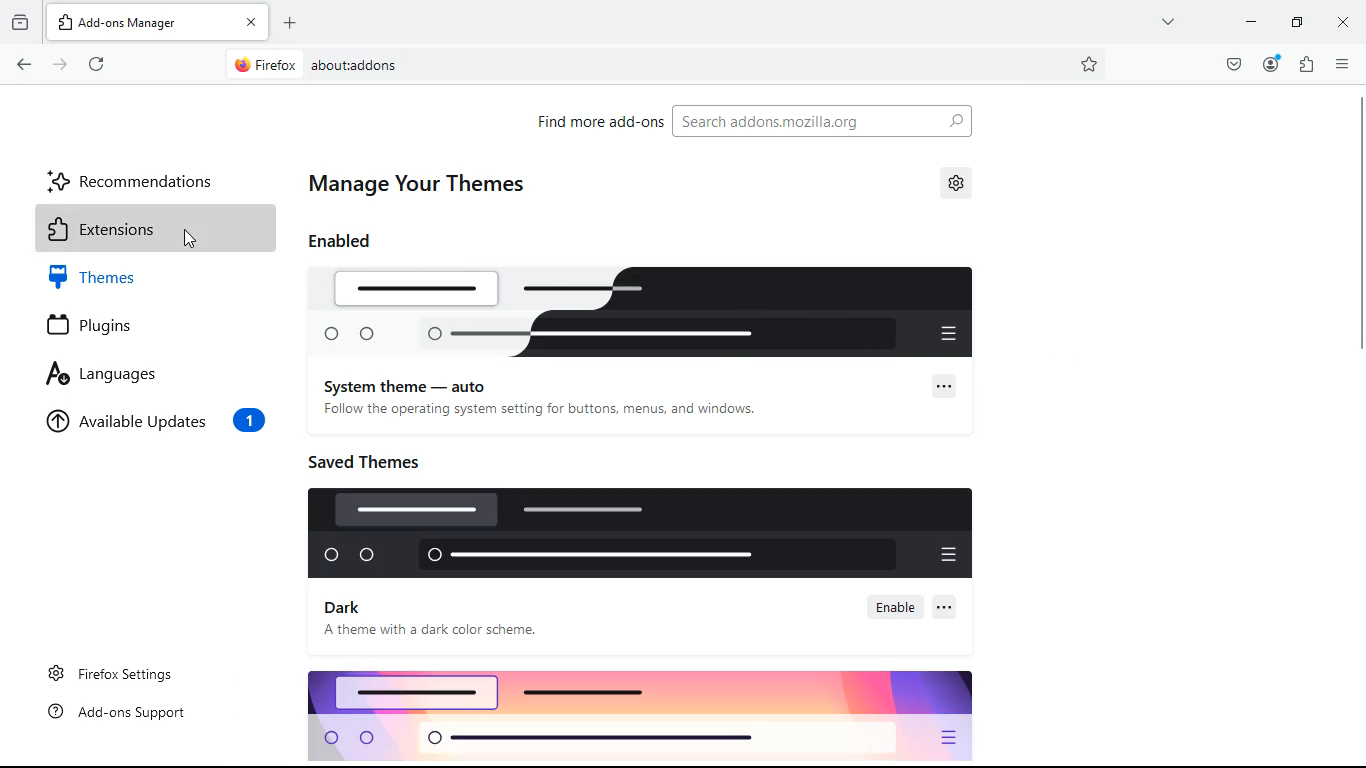  What do you see at coordinates (252, 20) in the screenshot?
I see `close tab` at bounding box center [252, 20].